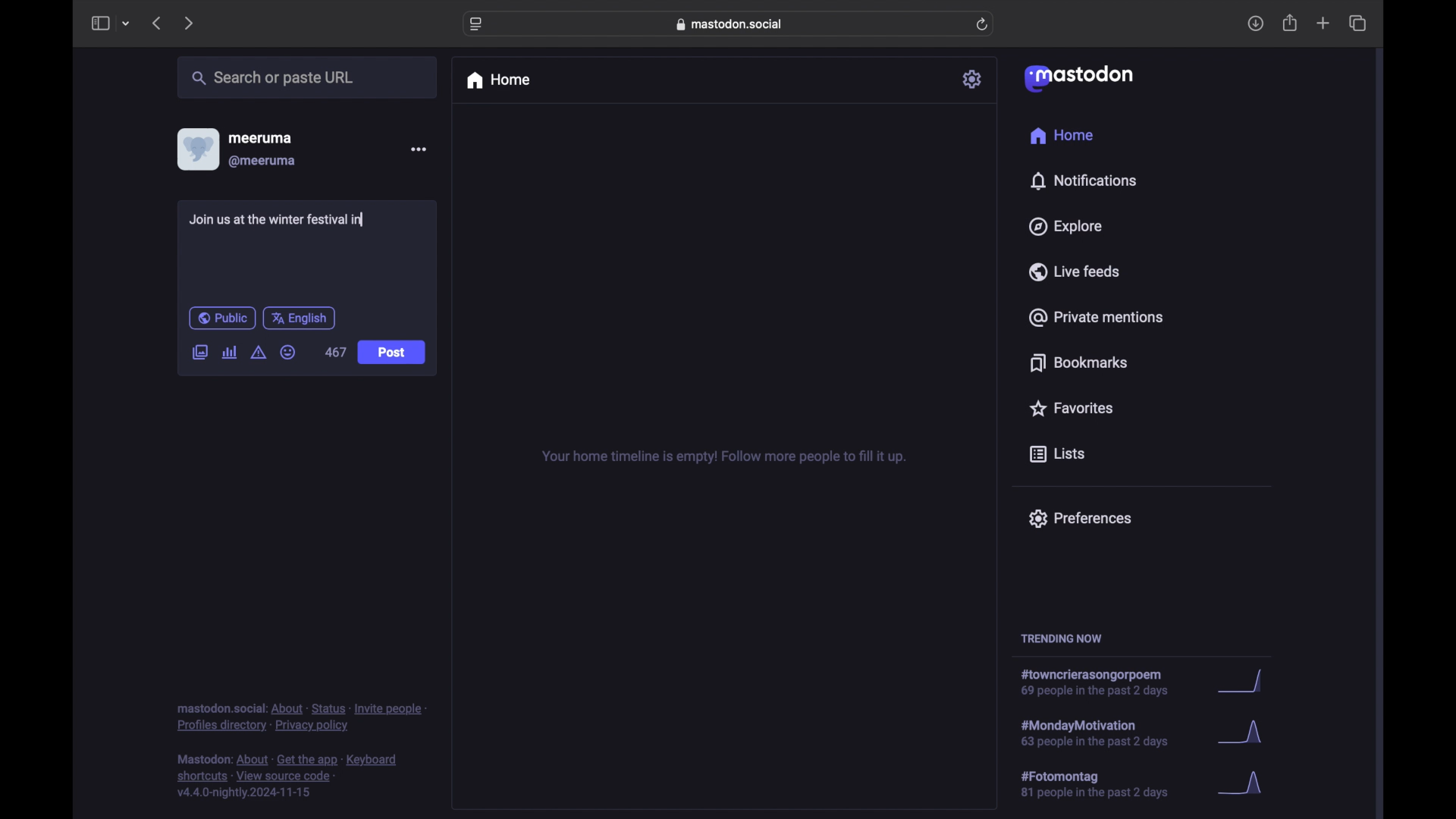 The image size is (1456, 819). Describe the element at coordinates (1291, 24) in the screenshot. I see `share` at that location.